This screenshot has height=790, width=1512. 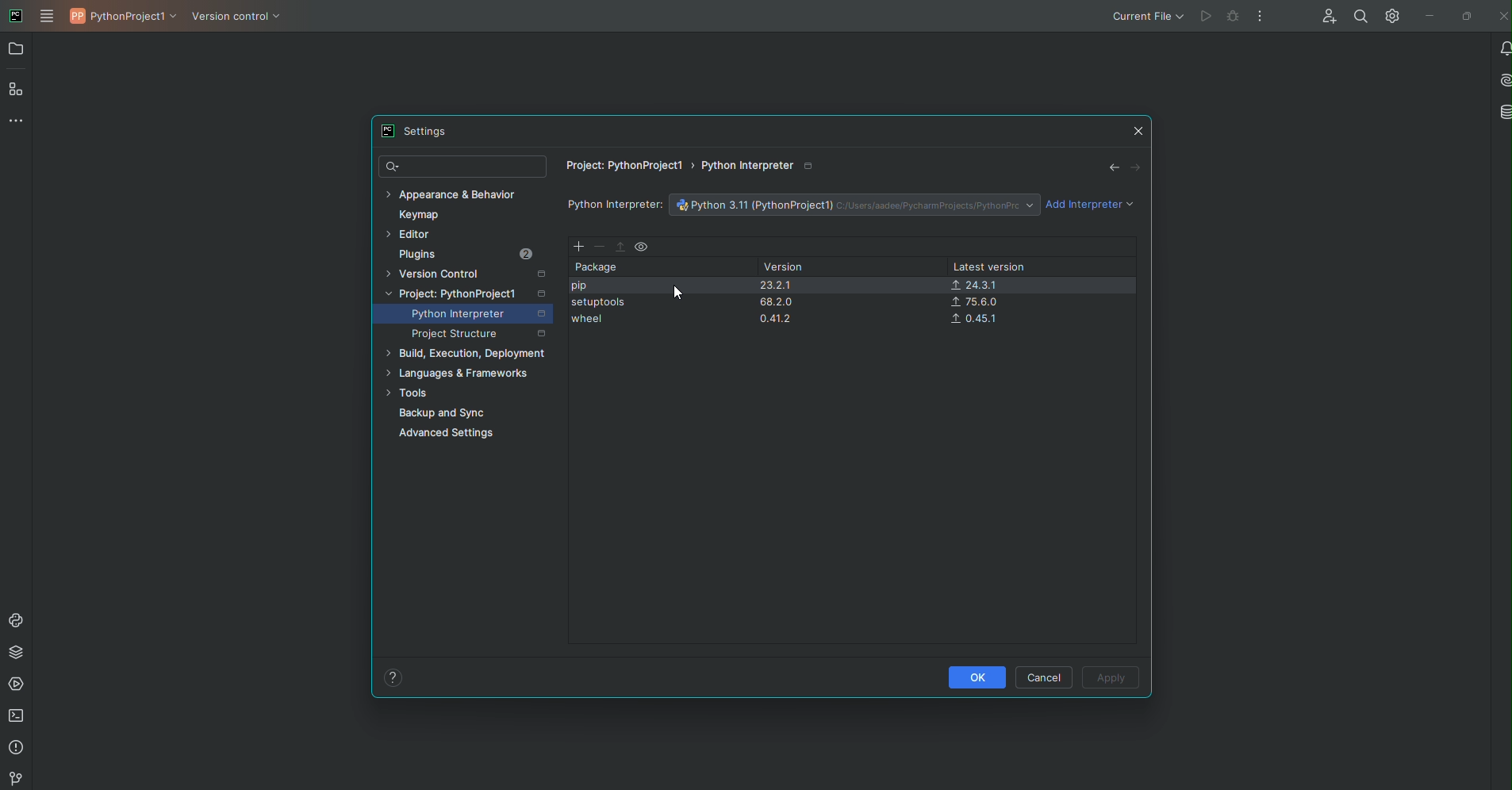 I want to click on Build, Execution, Development, so click(x=468, y=354).